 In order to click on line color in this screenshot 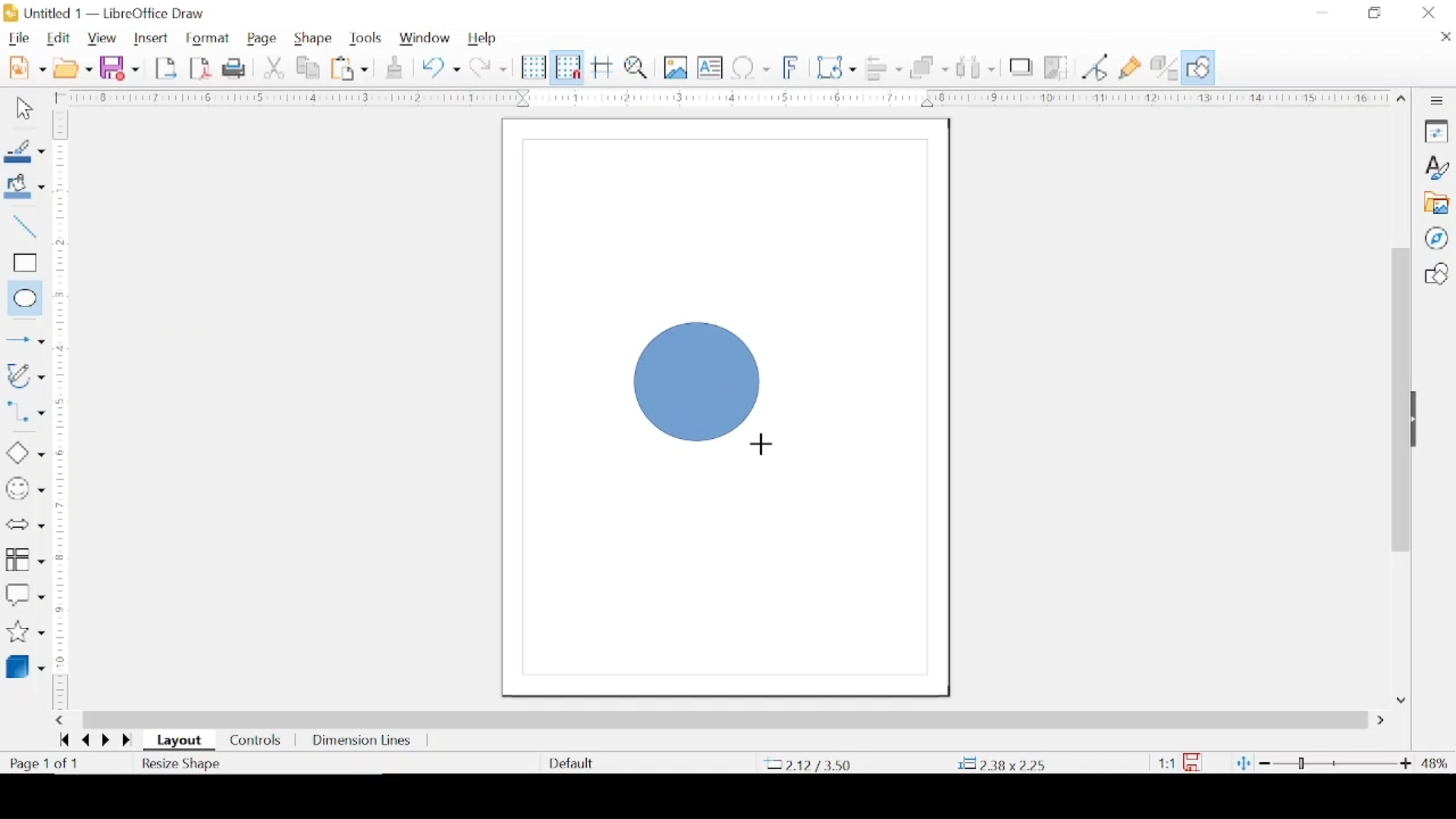, I will do `click(24, 151)`.